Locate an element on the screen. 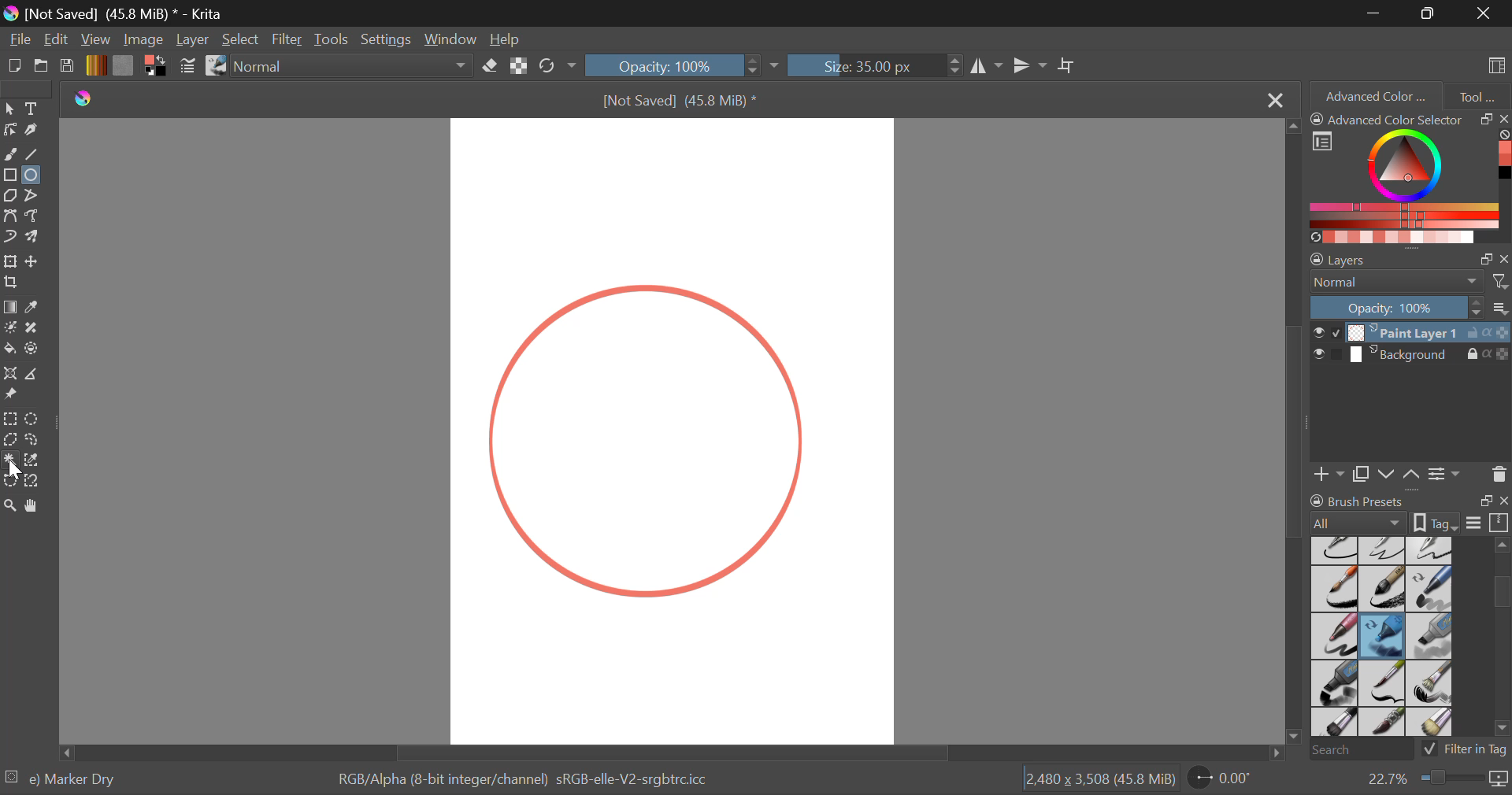 The width and height of the screenshot is (1512, 795). Measure Images is located at coordinates (34, 376).